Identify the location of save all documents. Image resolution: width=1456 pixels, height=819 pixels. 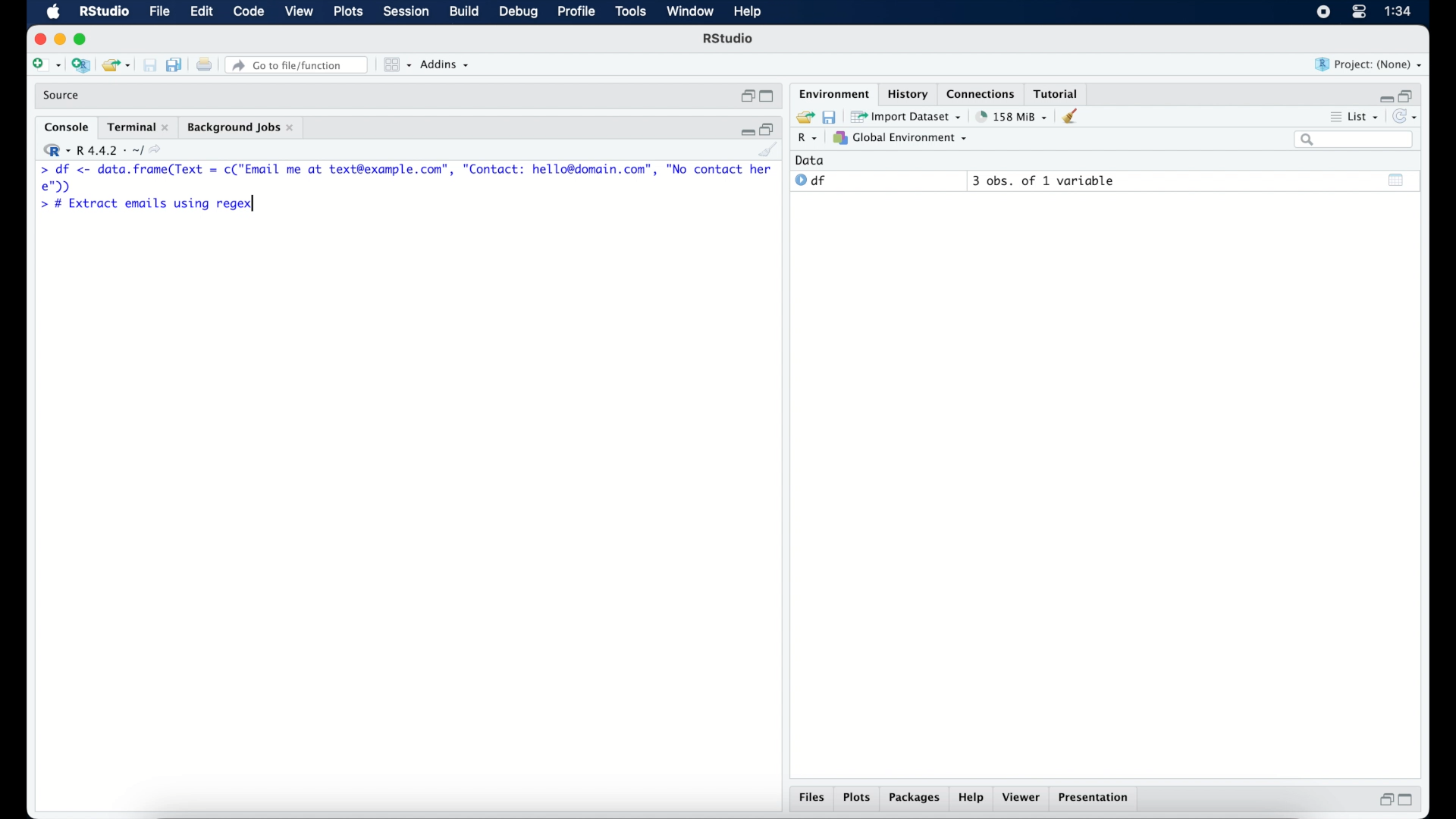
(174, 64).